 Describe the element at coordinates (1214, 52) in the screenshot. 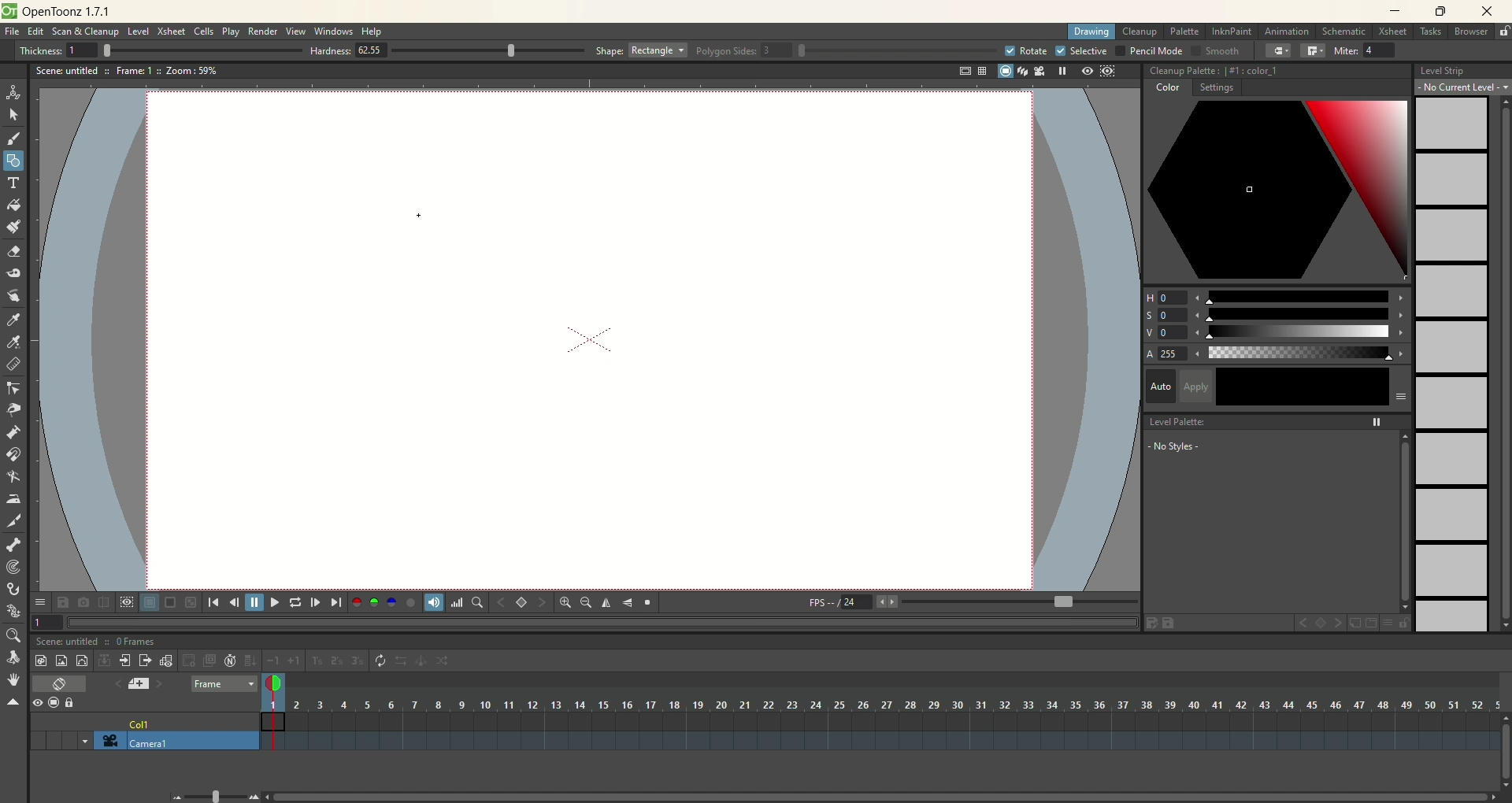

I see `smooth` at that location.